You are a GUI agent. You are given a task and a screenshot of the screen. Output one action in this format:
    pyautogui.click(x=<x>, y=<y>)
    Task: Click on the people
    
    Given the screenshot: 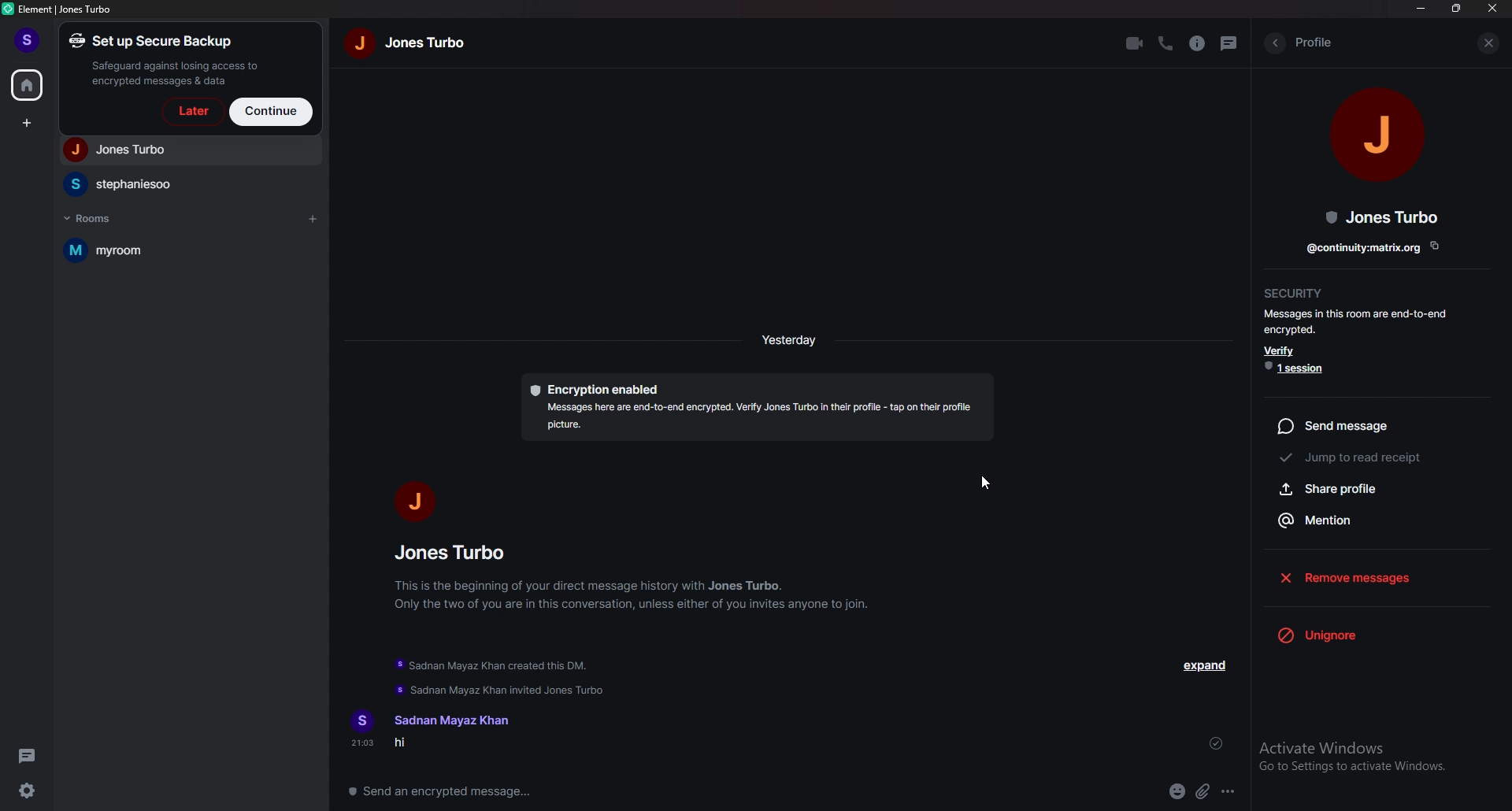 What is the action you would take?
    pyautogui.click(x=455, y=552)
    